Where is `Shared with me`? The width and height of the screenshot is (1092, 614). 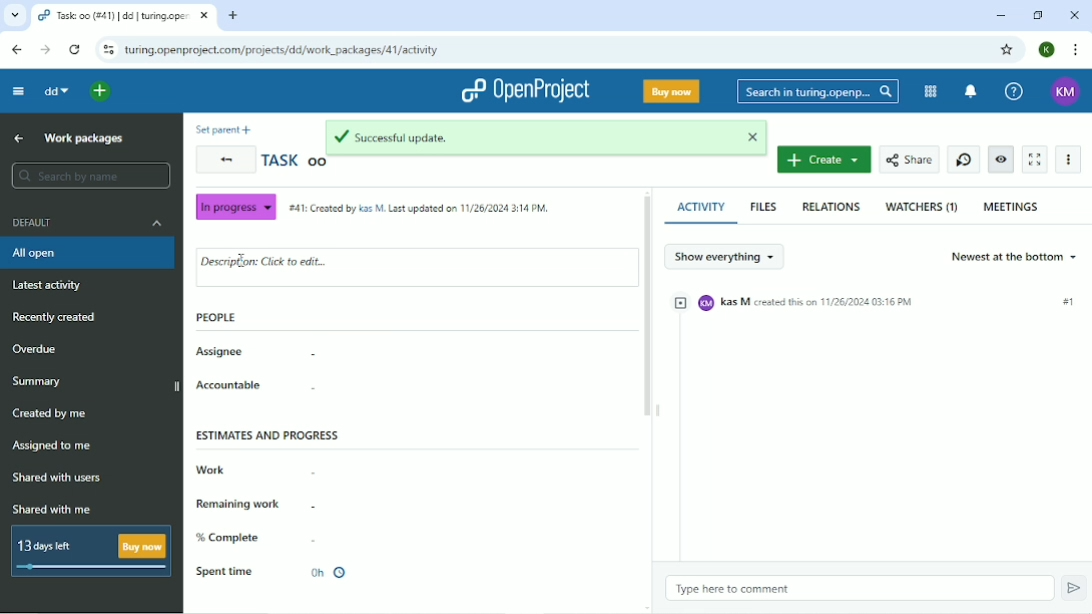 Shared with me is located at coordinates (55, 510).